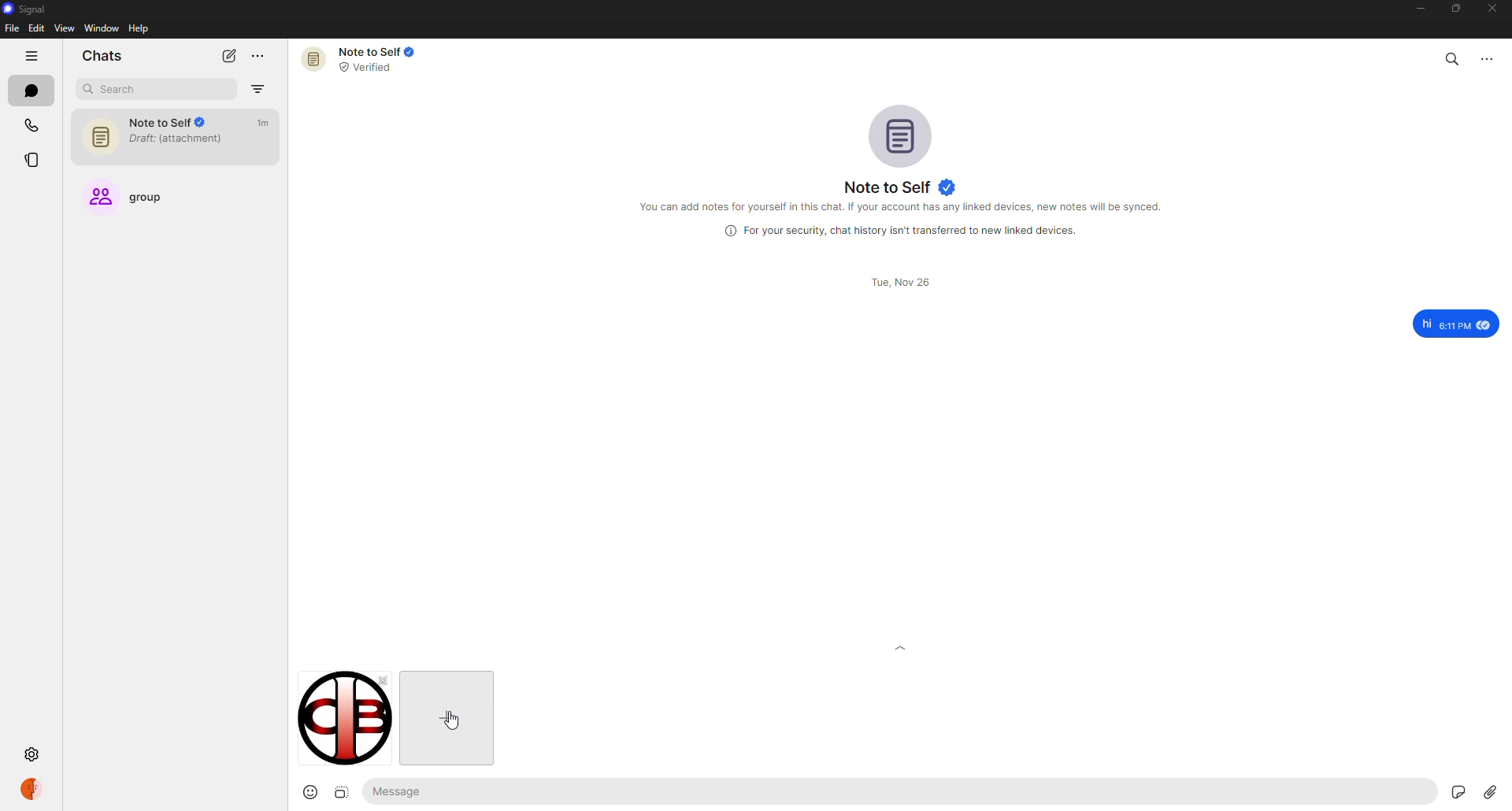 The width and height of the screenshot is (1512, 811). I want to click on file, so click(10, 30).